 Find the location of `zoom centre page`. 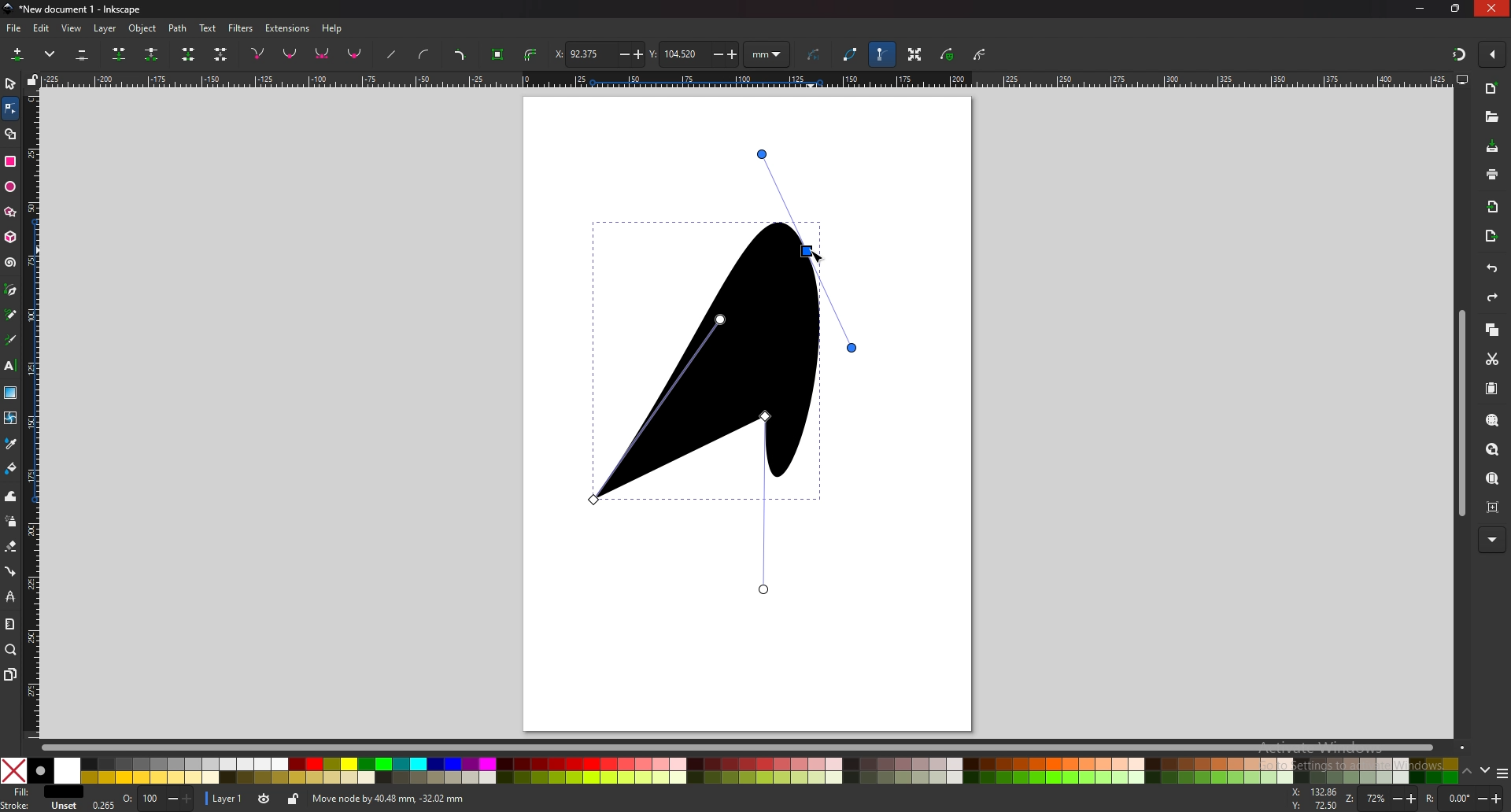

zoom centre page is located at coordinates (1494, 508).